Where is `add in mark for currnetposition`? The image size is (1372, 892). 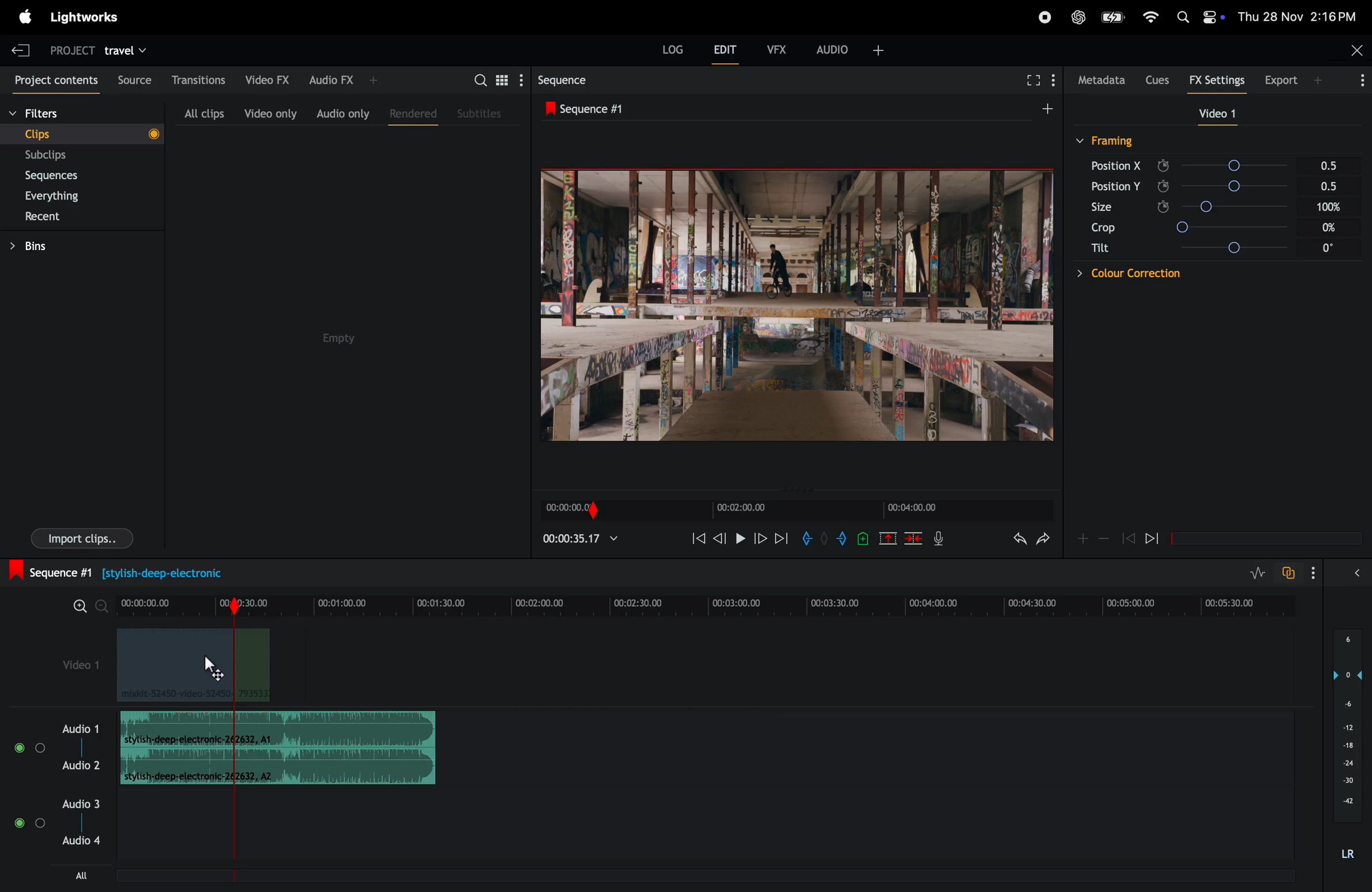 add in mark for currnetposition is located at coordinates (809, 541).